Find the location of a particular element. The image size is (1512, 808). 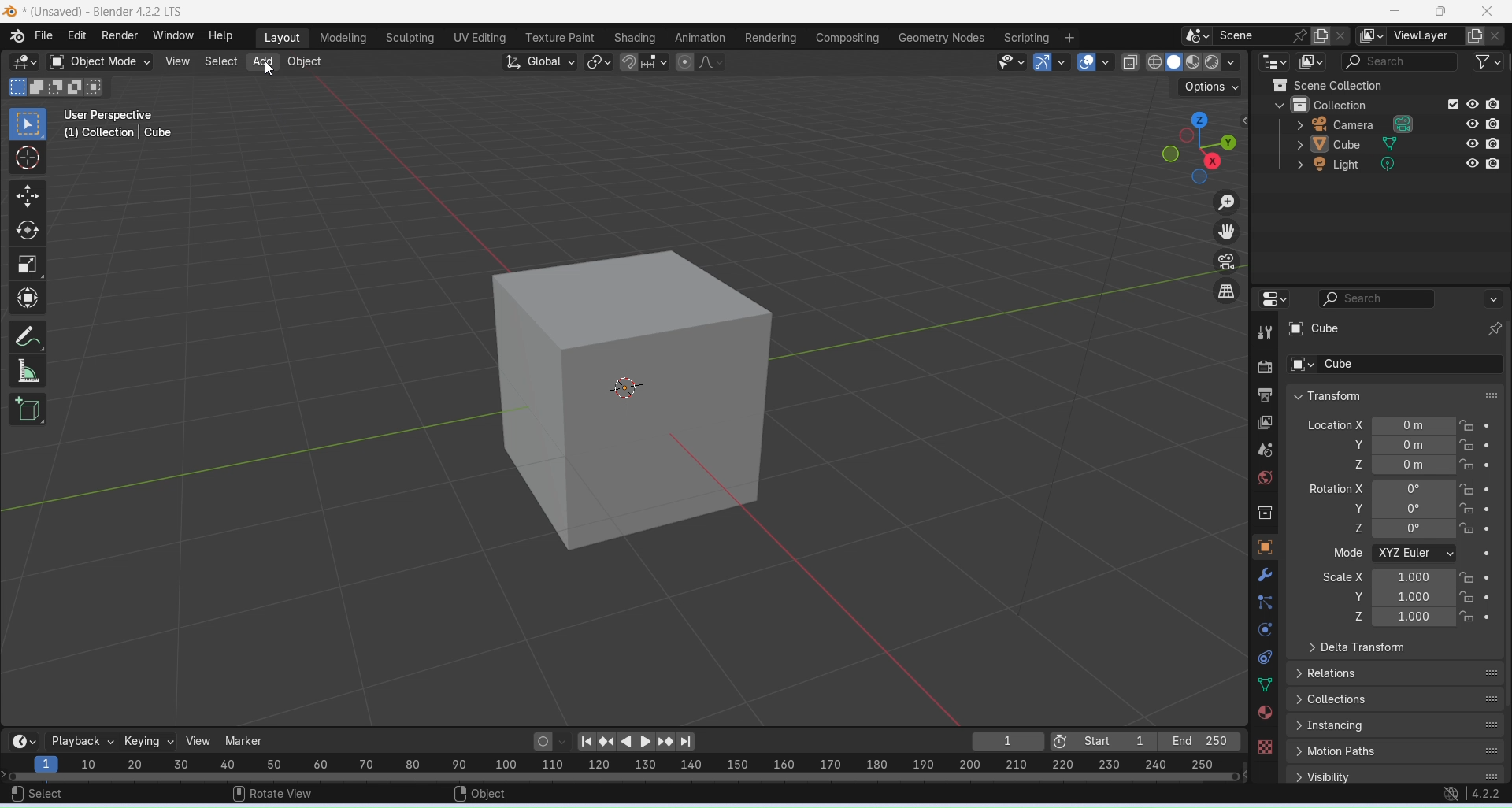

Cube is located at coordinates (635, 399).